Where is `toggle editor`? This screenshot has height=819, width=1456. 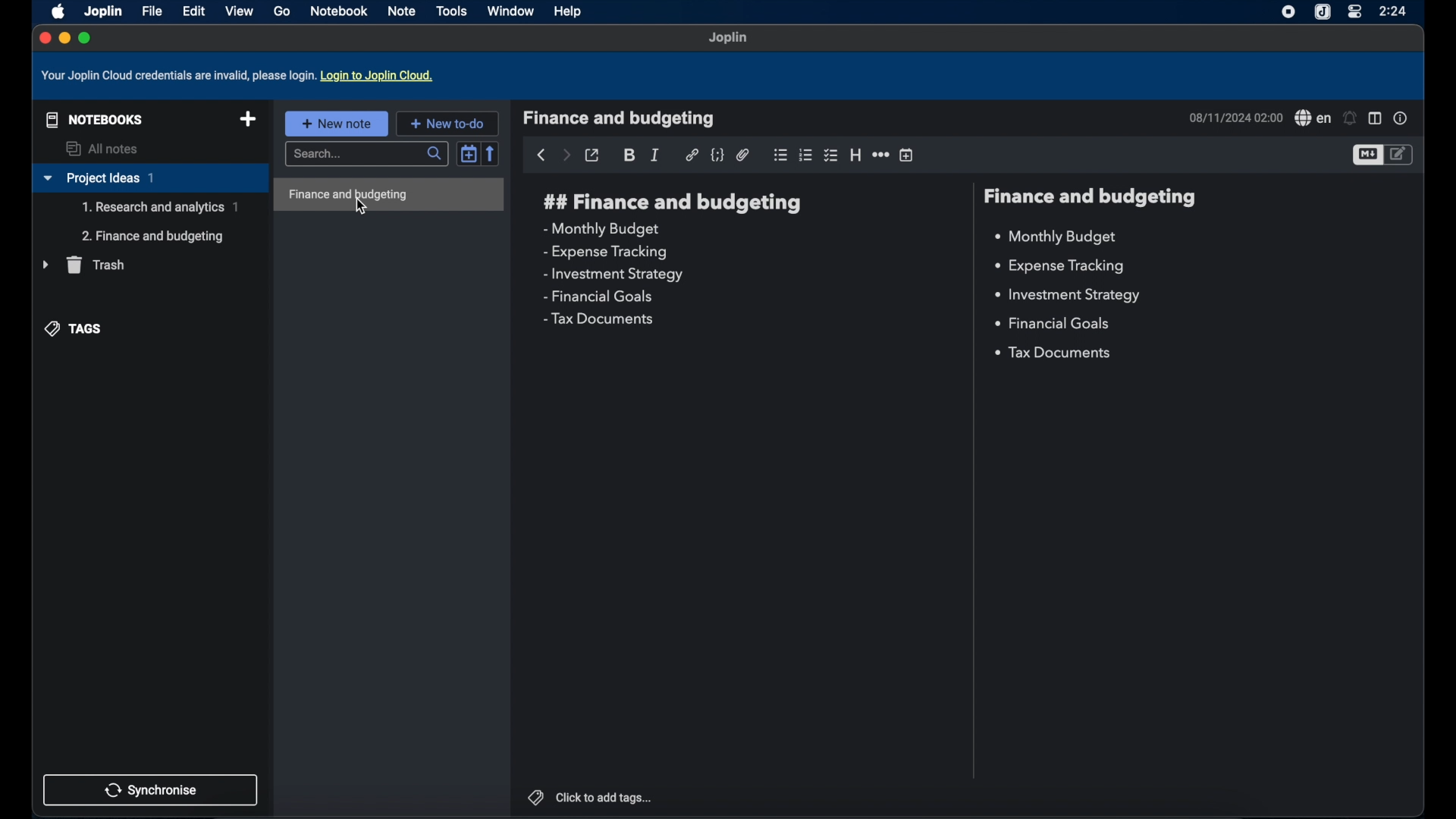 toggle editor is located at coordinates (1367, 155).